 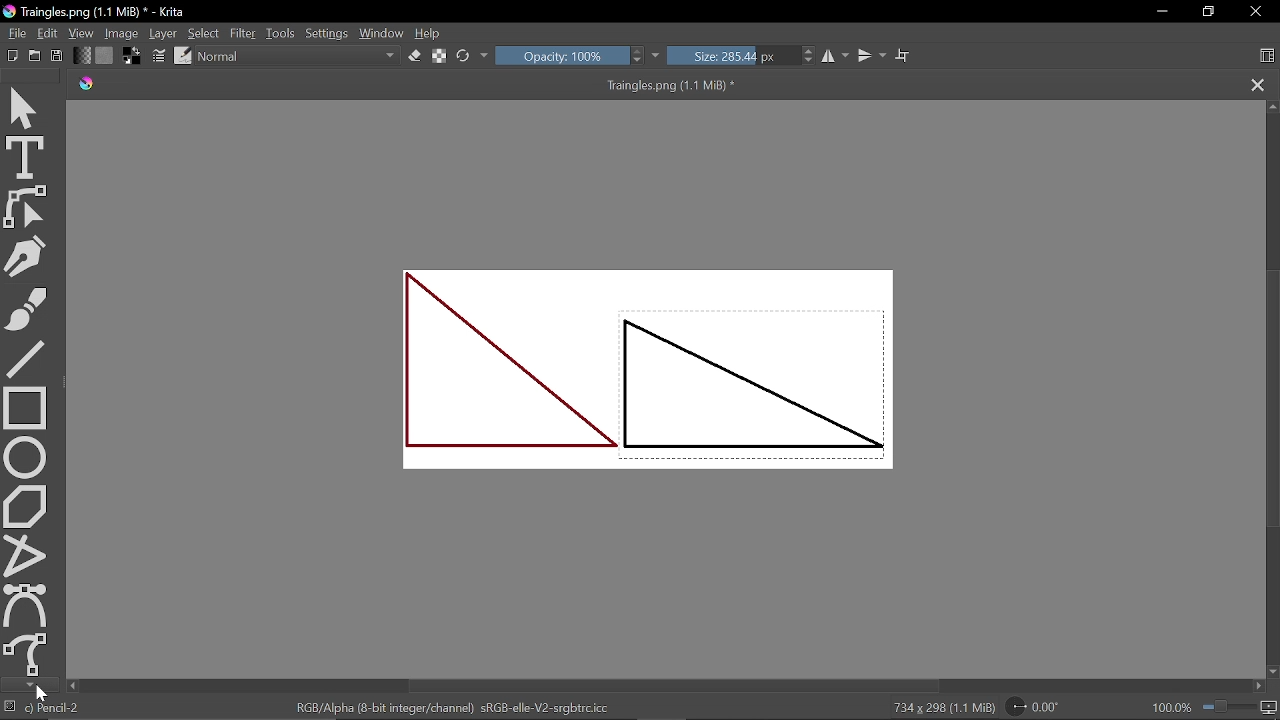 What do you see at coordinates (54, 707) in the screenshot?
I see `Pencil-2` at bounding box center [54, 707].